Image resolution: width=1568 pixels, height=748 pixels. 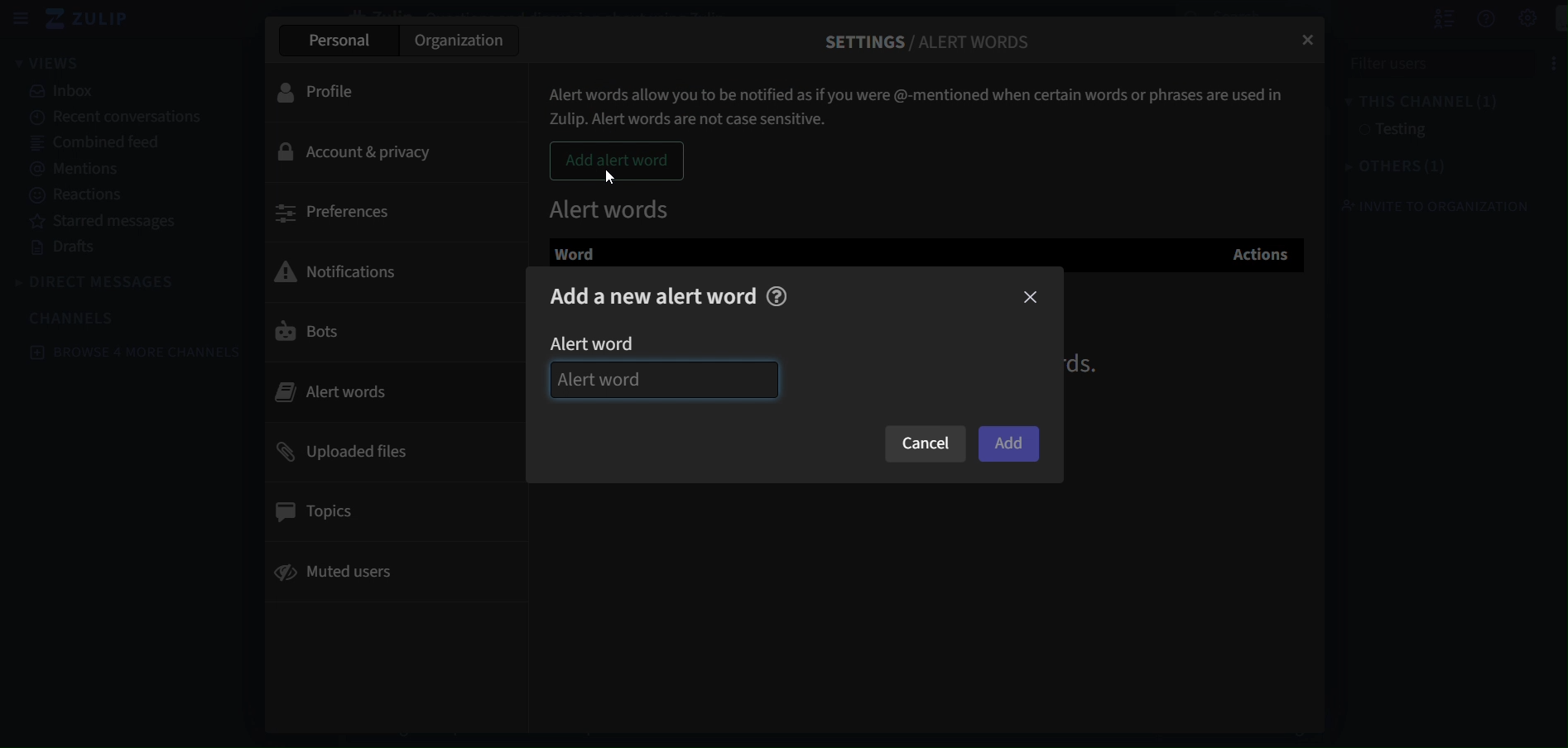 I want to click on recent conversations, so click(x=112, y=117).